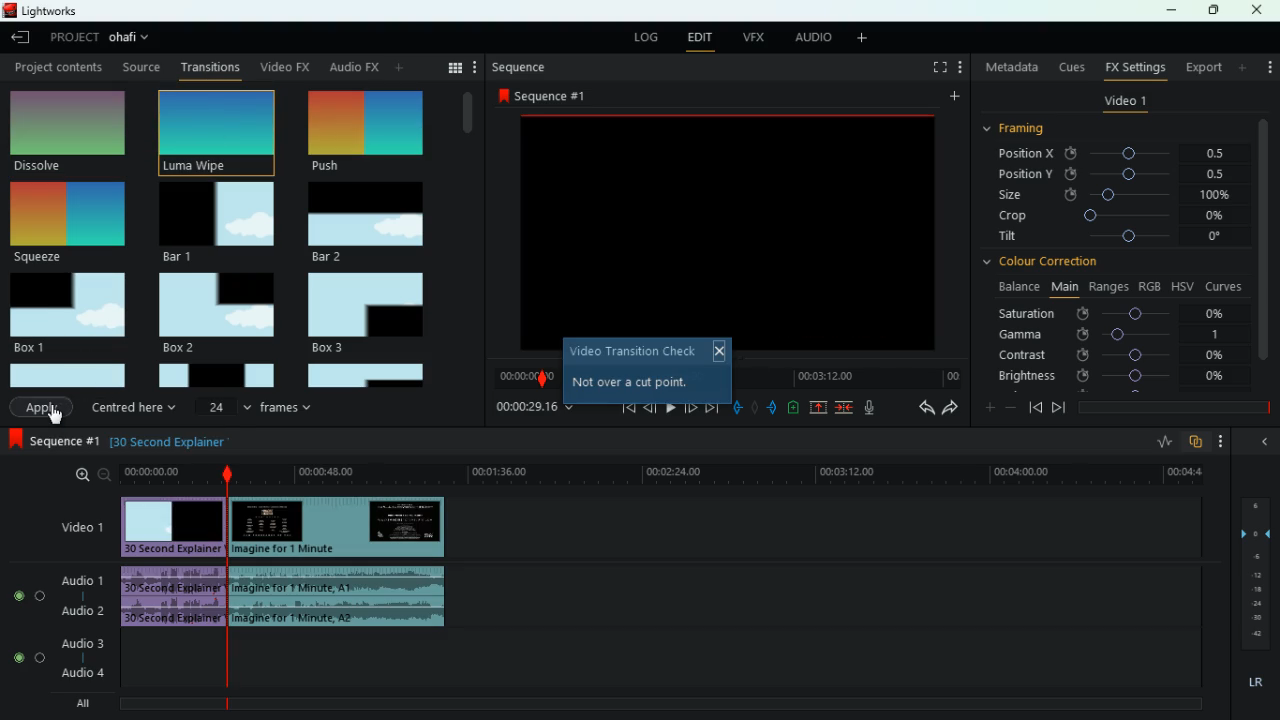 The height and width of the screenshot is (720, 1280). Describe the element at coordinates (950, 409) in the screenshot. I see `forward` at that location.